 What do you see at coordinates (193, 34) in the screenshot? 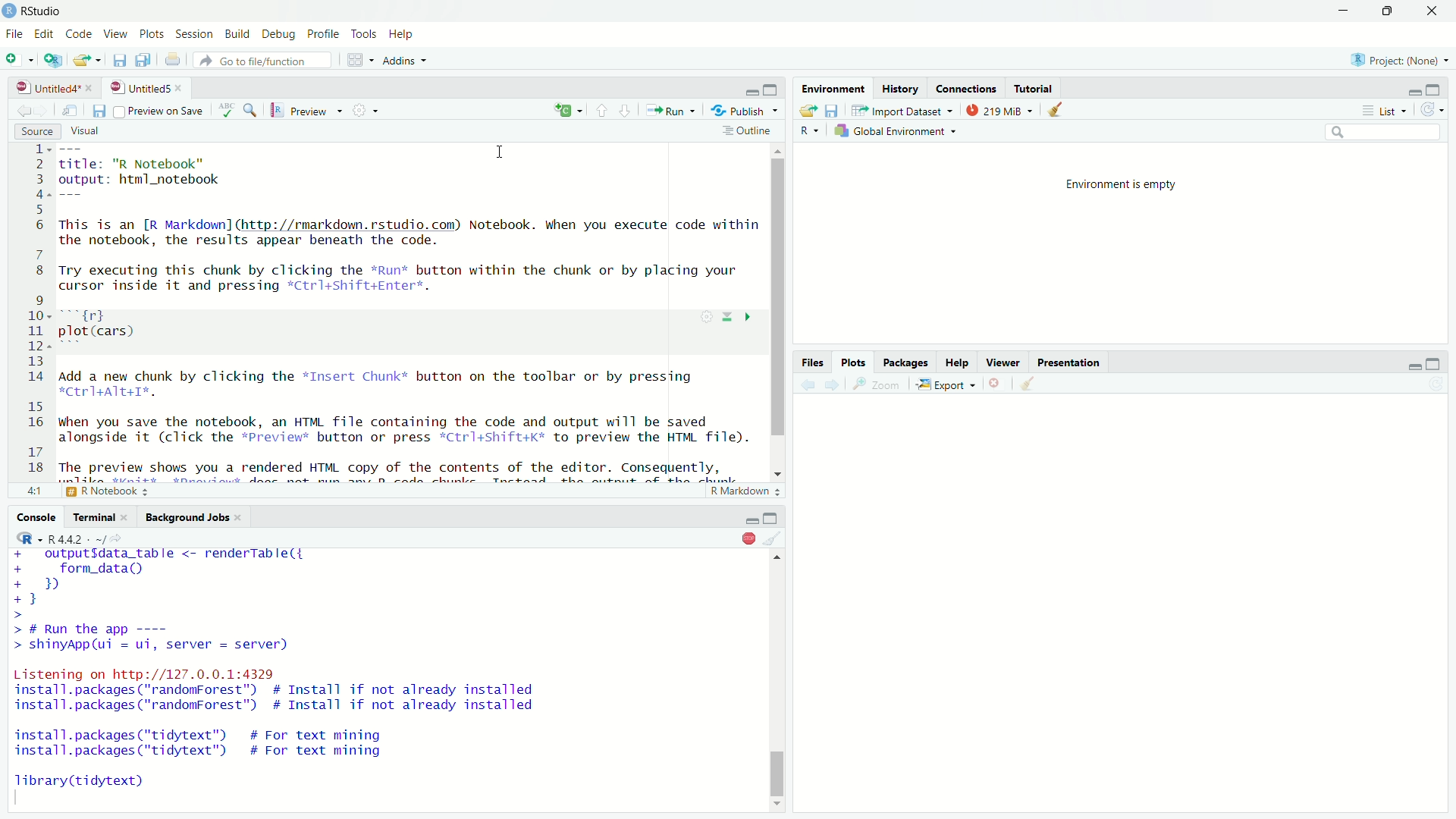
I see `Session` at bounding box center [193, 34].